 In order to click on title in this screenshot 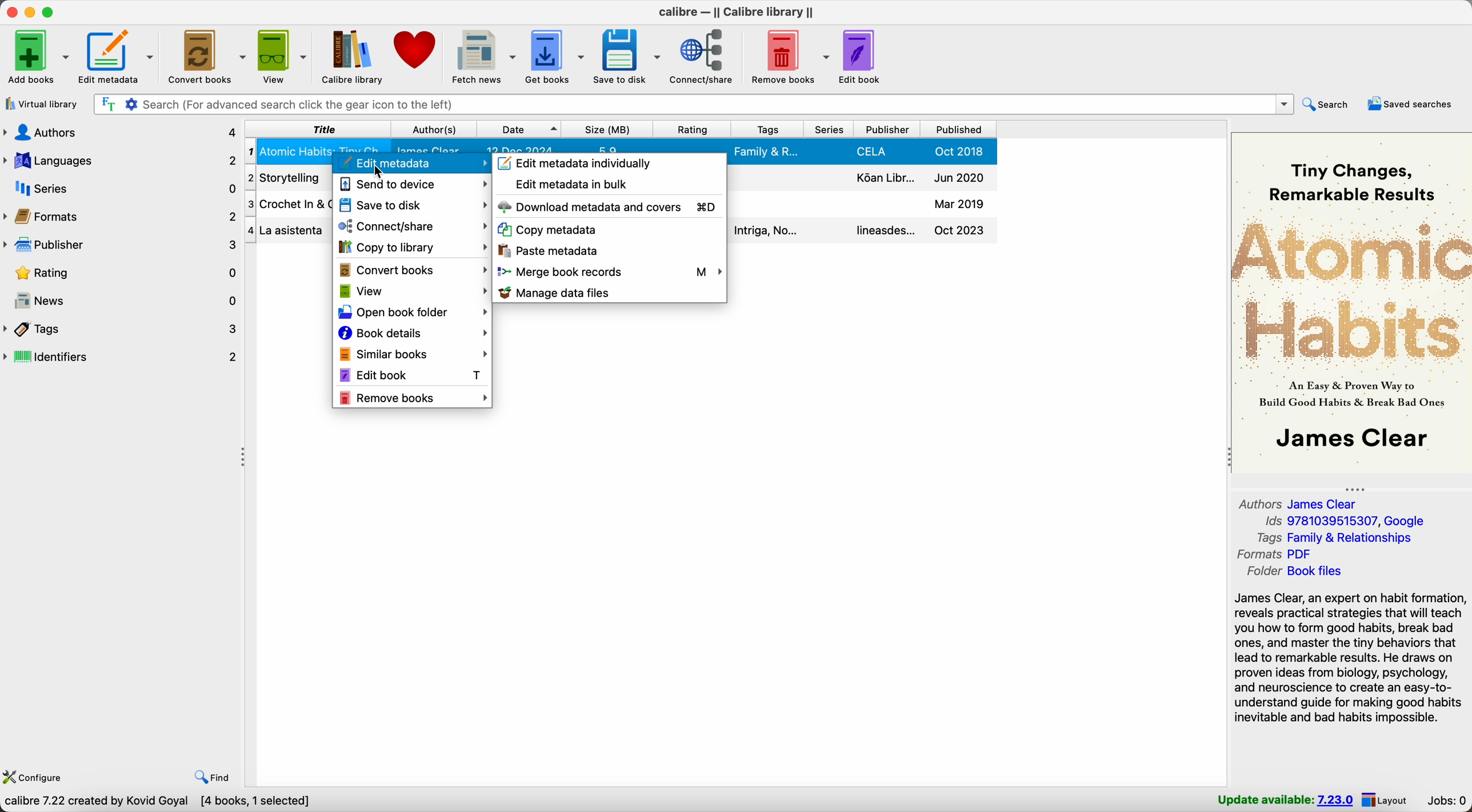, I will do `click(318, 129)`.